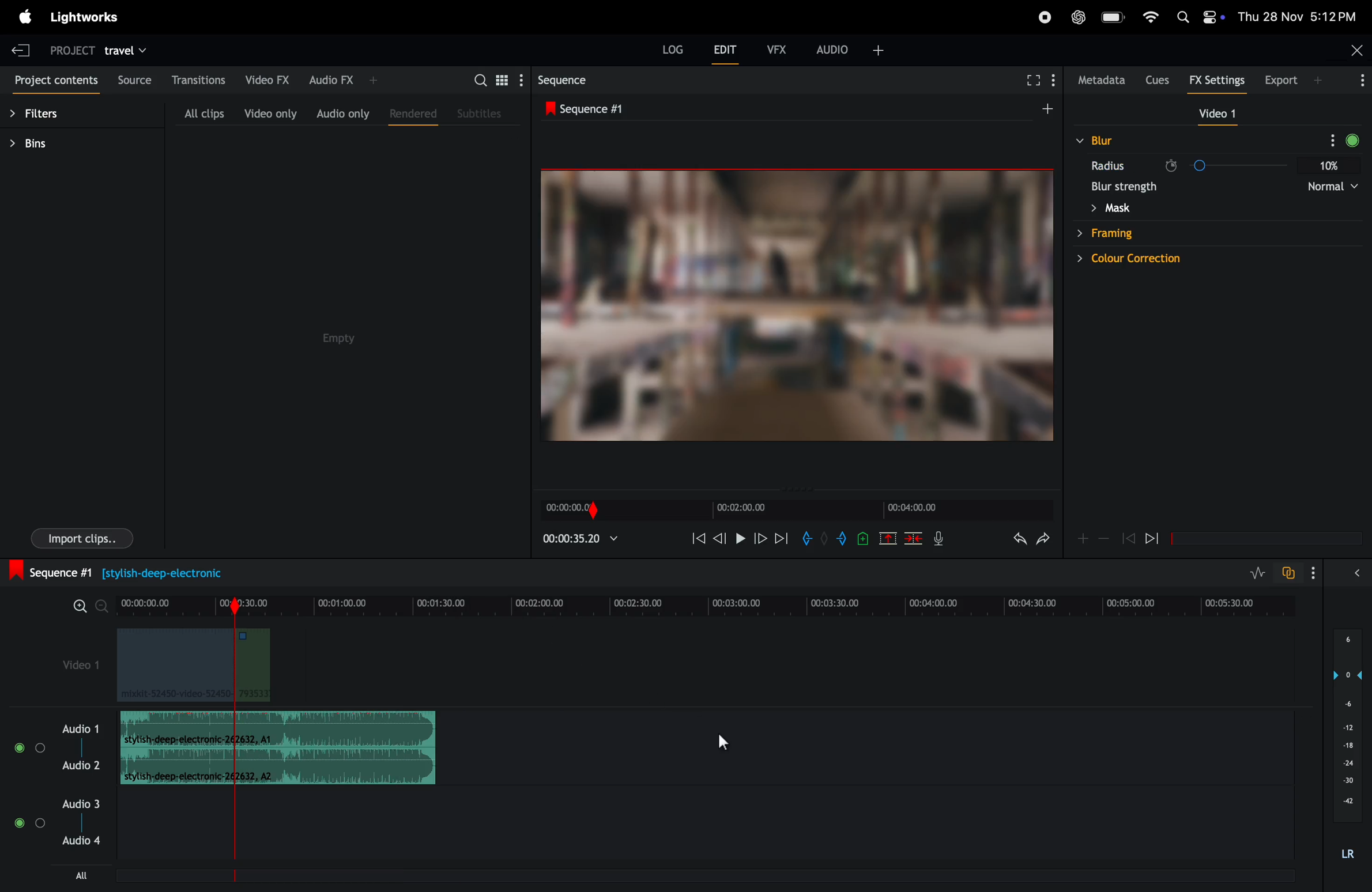 The width and height of the screenshot is (1372, 892). Describe the element at coordinates (720, 540) in the screenshot. I see `backward` at that location.